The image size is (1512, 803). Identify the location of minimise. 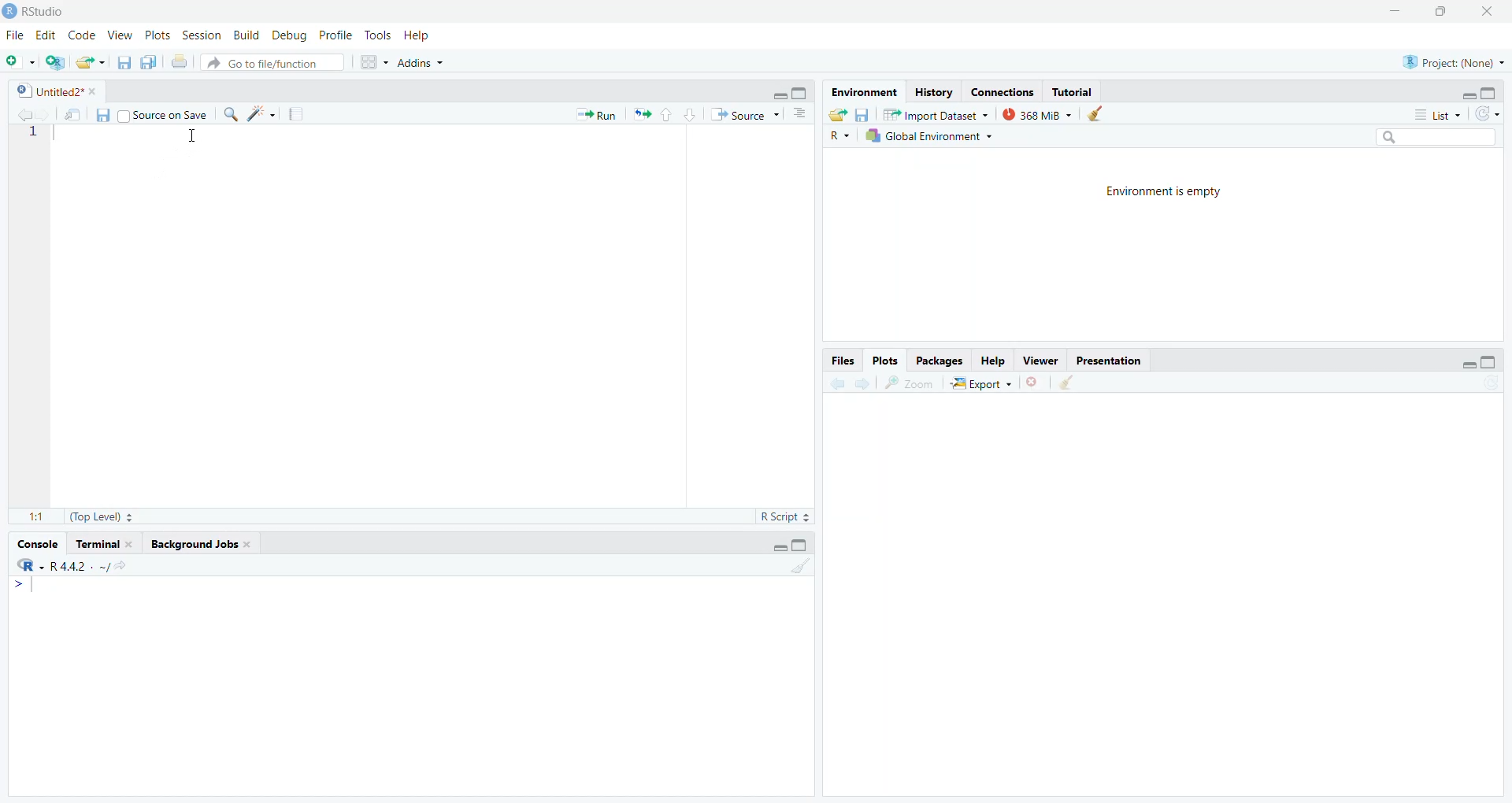
(1466, 92).